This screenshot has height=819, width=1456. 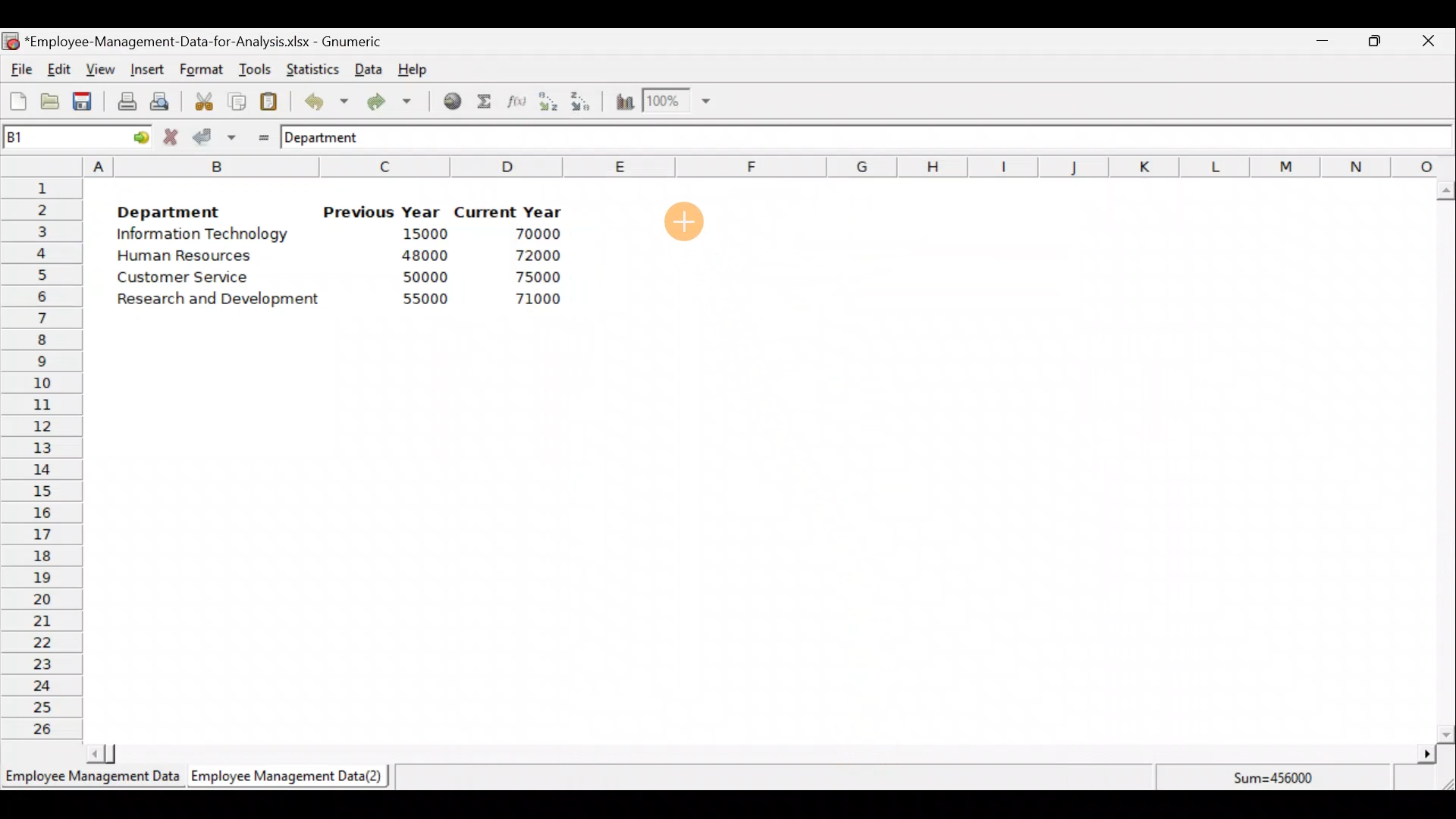 What do you see at coordinates (533, 299) in the screenshot?
I see `71000` at bounding box center [533, 299].